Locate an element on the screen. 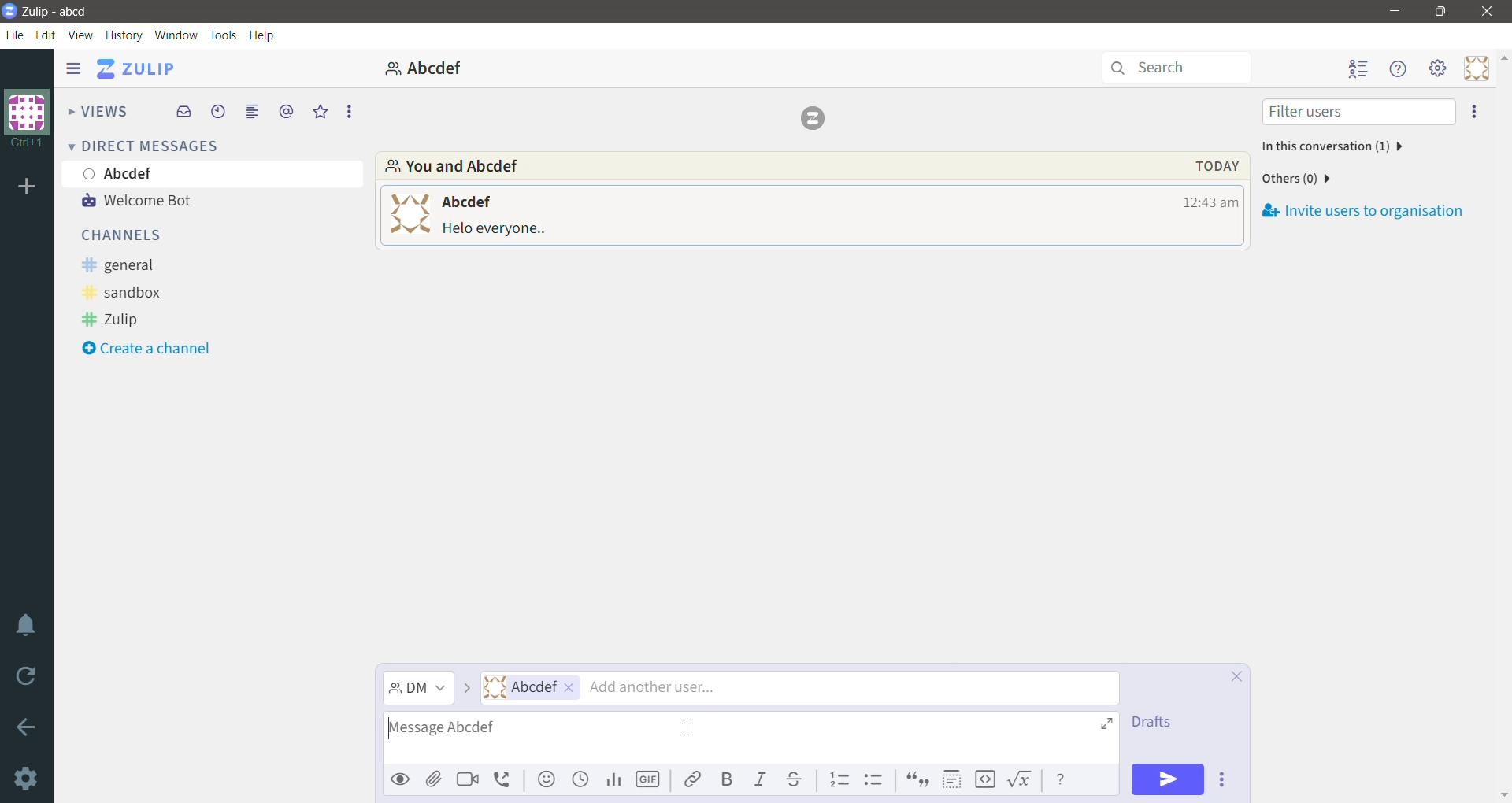  Application is located at coordinates (136, 68).